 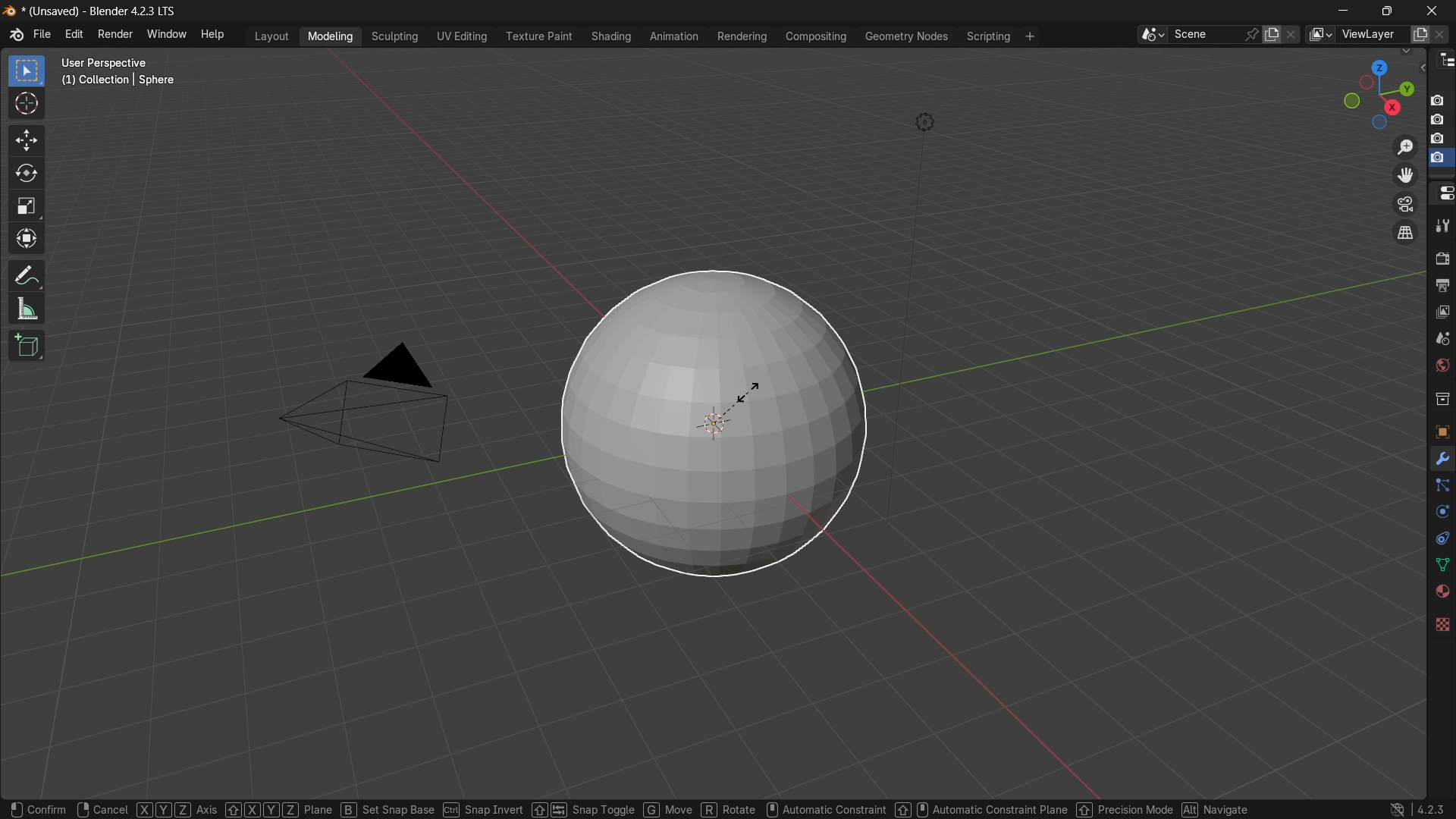 What do you see at coordinates (413, 805) in the screenshot?
I see `snap base ctrl` at bounding box center [413, 805].